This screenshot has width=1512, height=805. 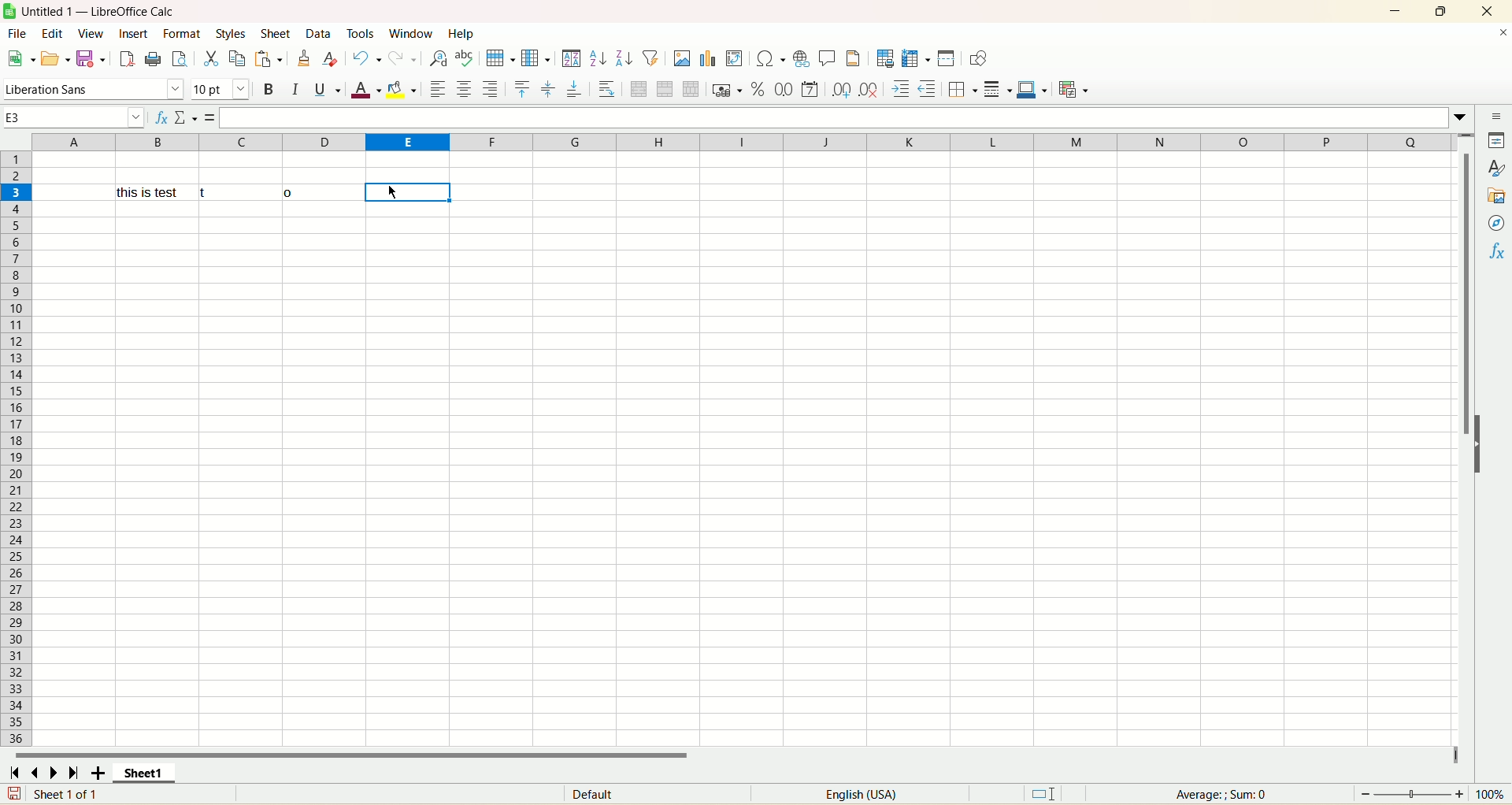 I want to click on border style, so click(x=997, y=91).